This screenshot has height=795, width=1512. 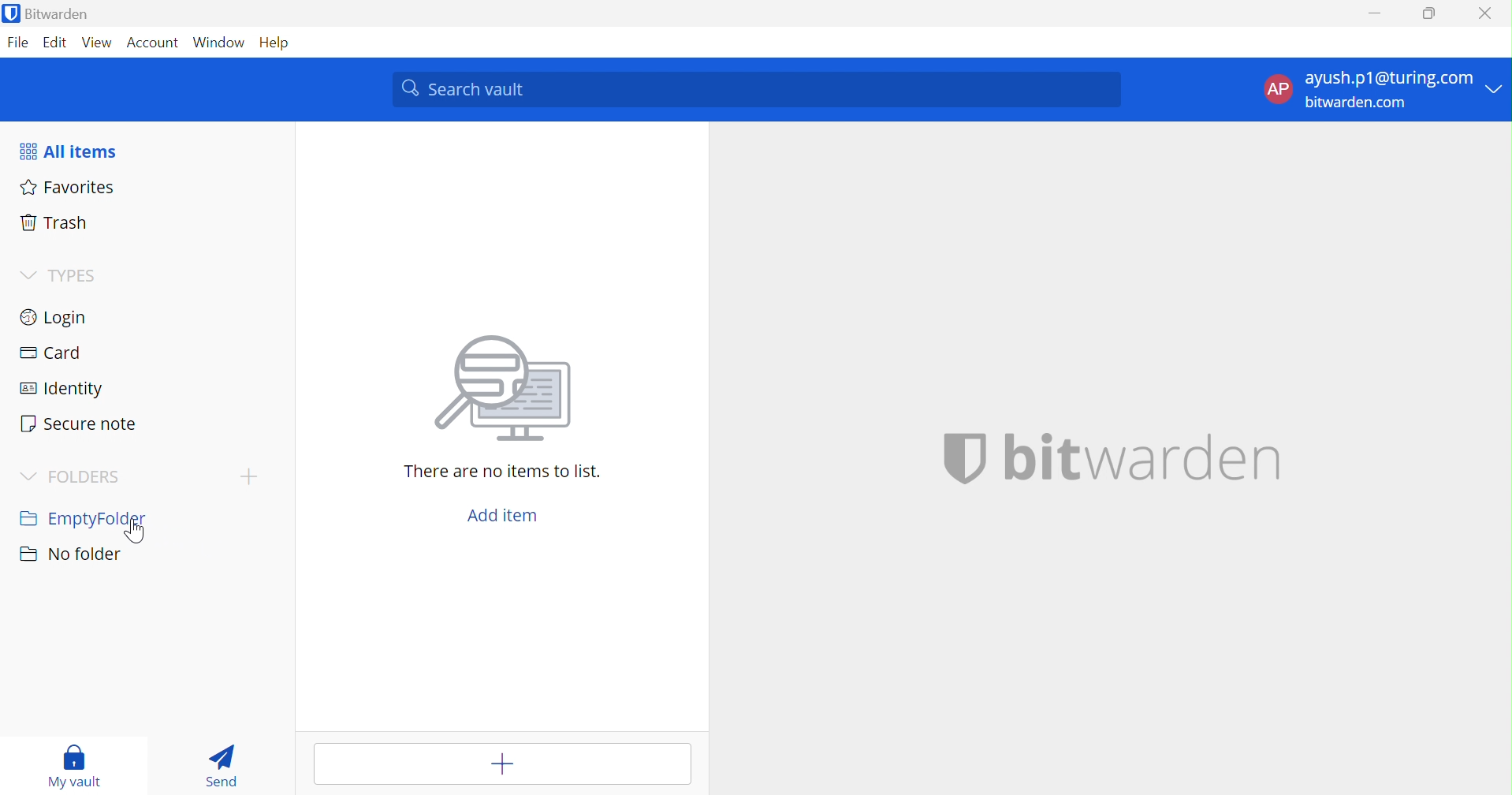 I want to click on bitwarden, so click(x=1148, y=457).